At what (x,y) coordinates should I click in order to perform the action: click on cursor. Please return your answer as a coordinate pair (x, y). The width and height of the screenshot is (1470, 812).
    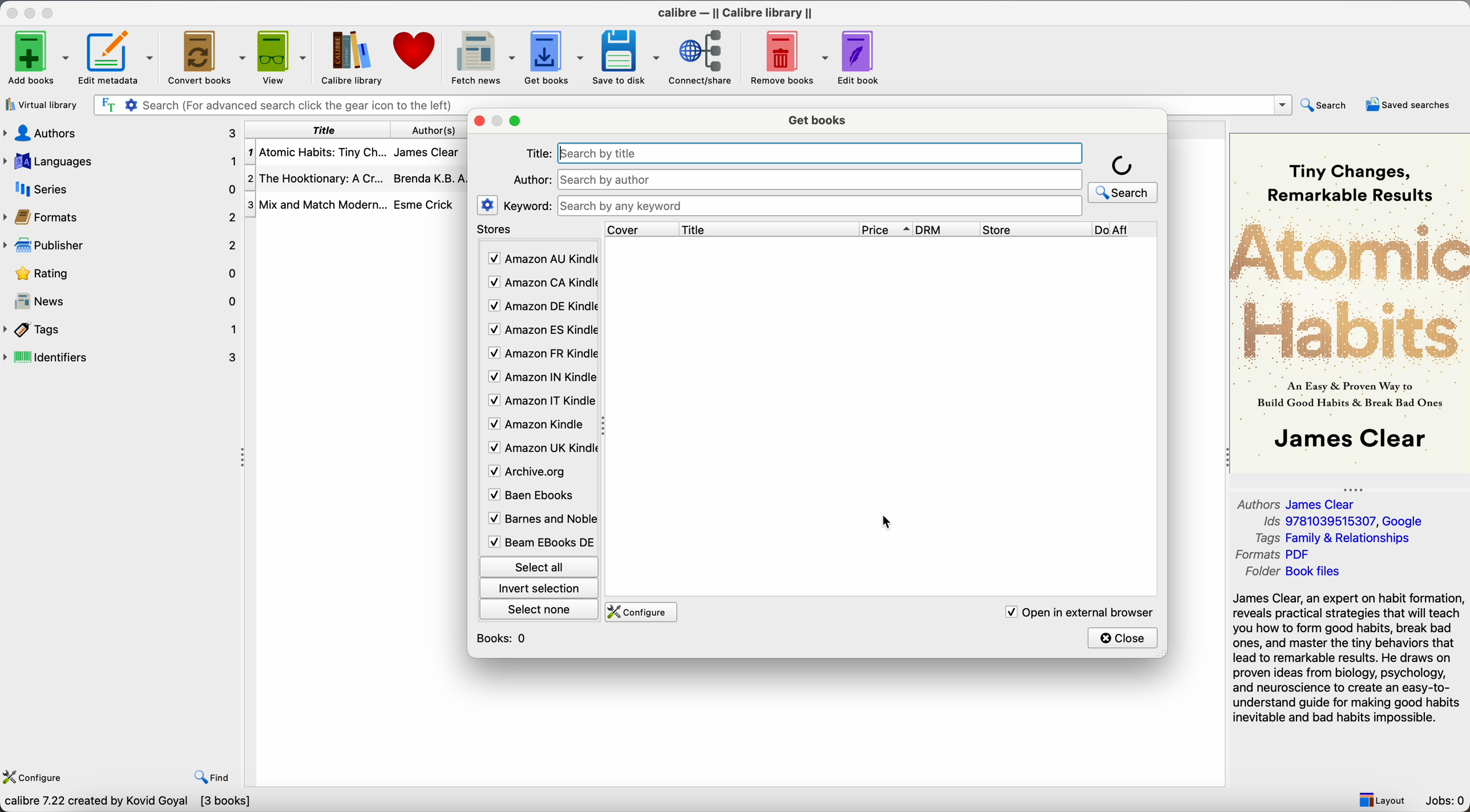
    Looking at the image, I should click on (886, 523).